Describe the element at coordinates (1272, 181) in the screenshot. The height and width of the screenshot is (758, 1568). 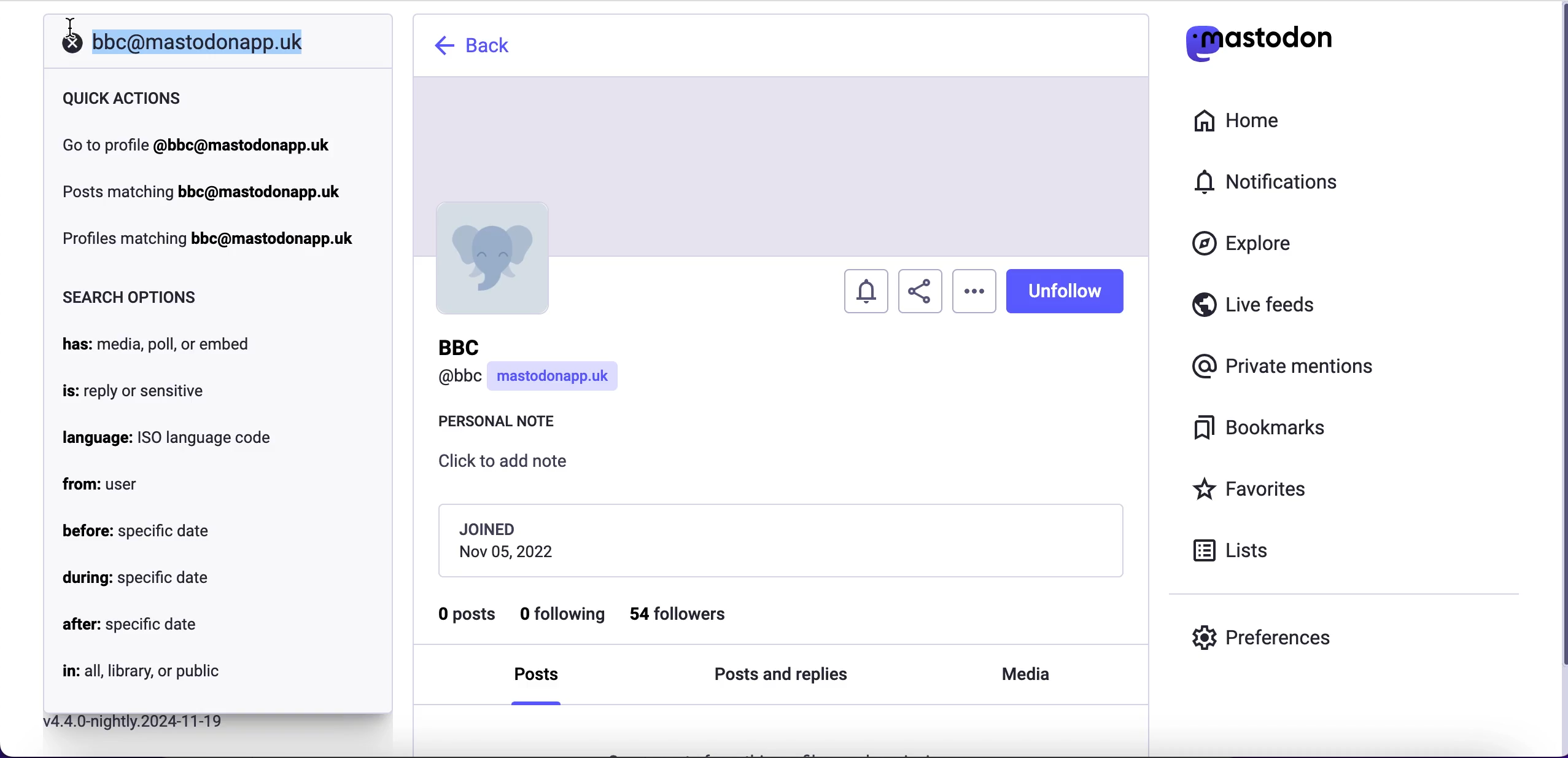
I see `notifications` at that location.